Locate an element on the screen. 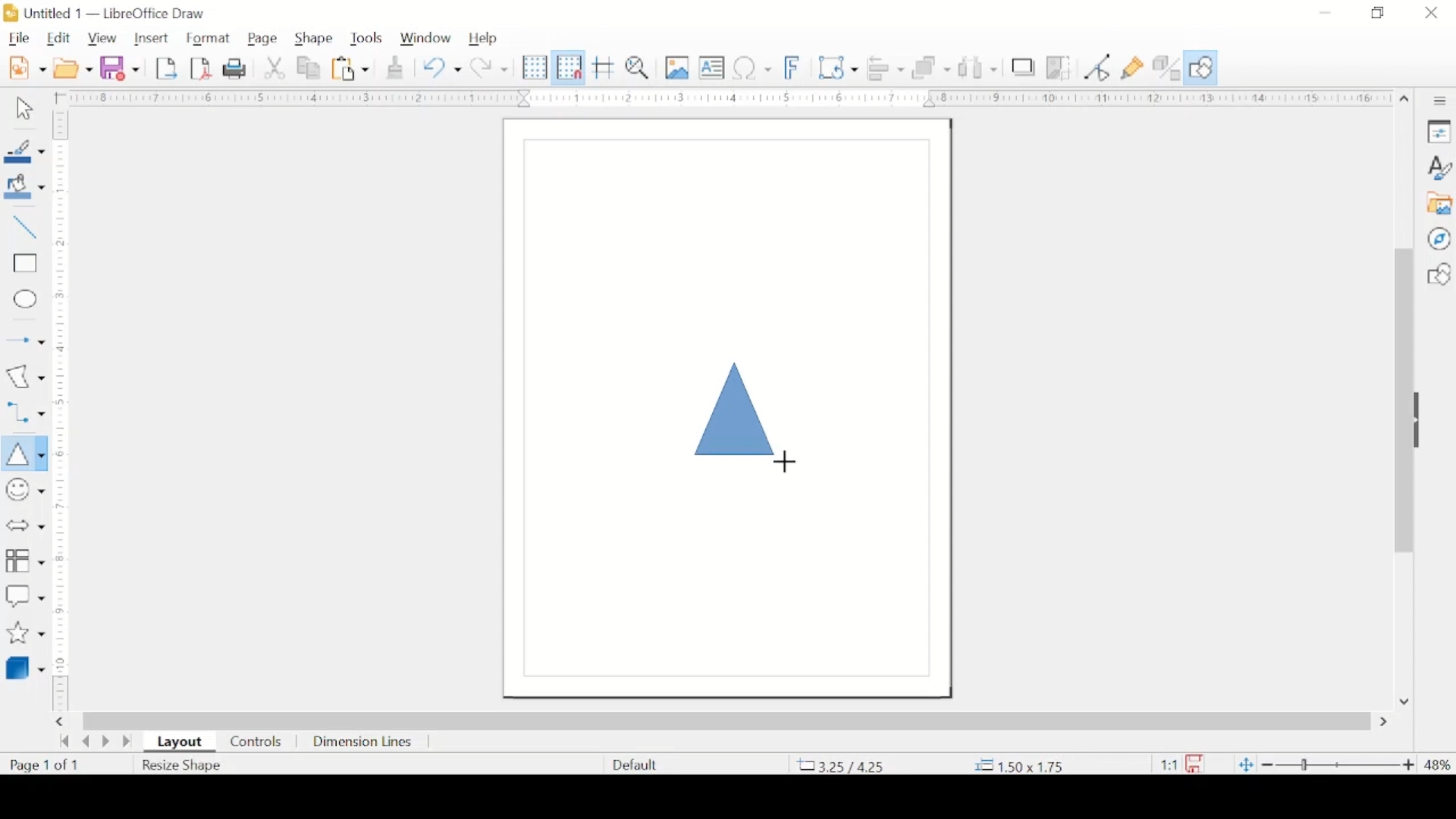 This screenshot has height=819, width=1456. transformations is located at coordinates (838, 66).